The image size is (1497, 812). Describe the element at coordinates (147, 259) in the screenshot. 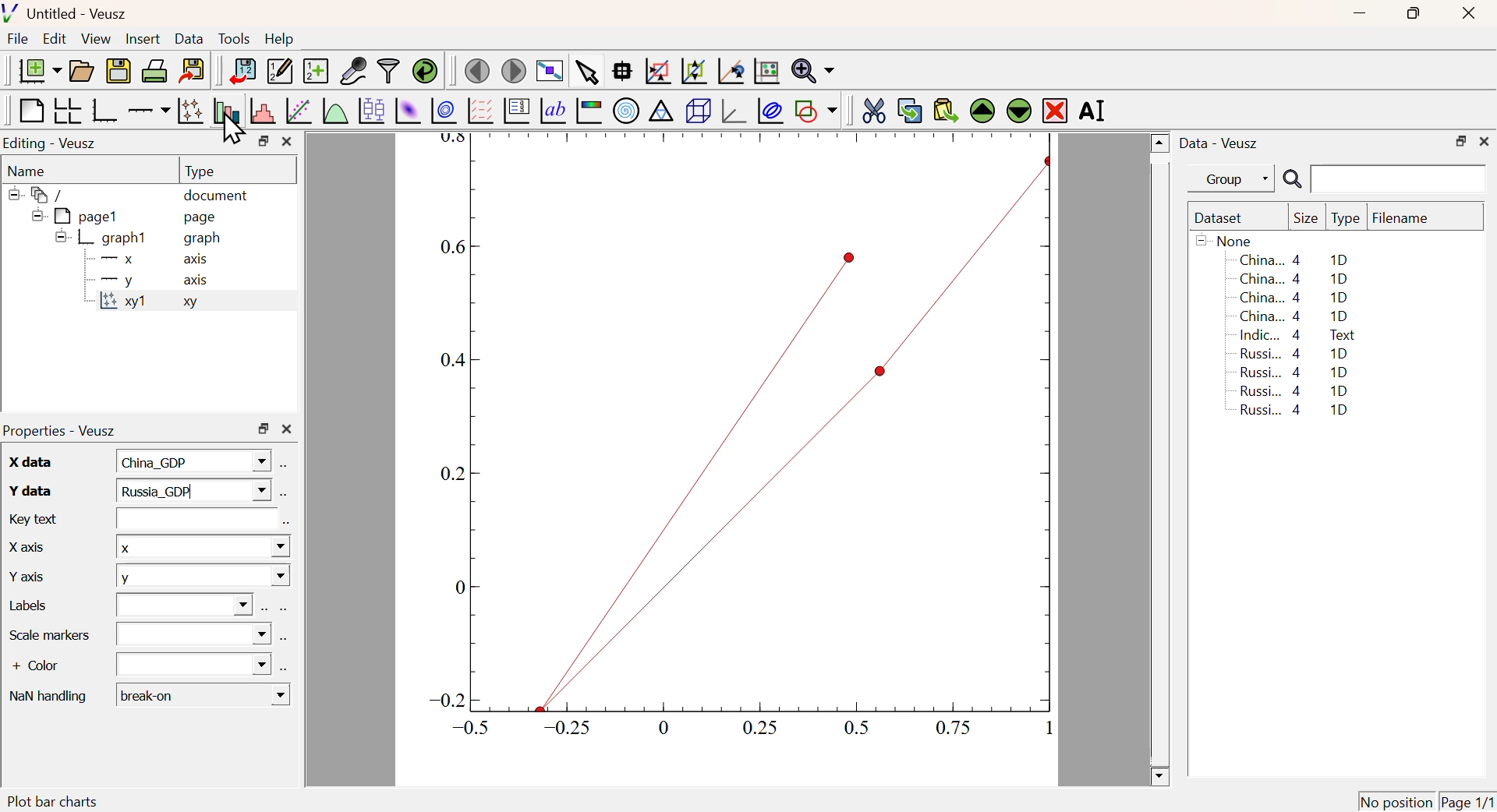

I see `X axis` at that location.